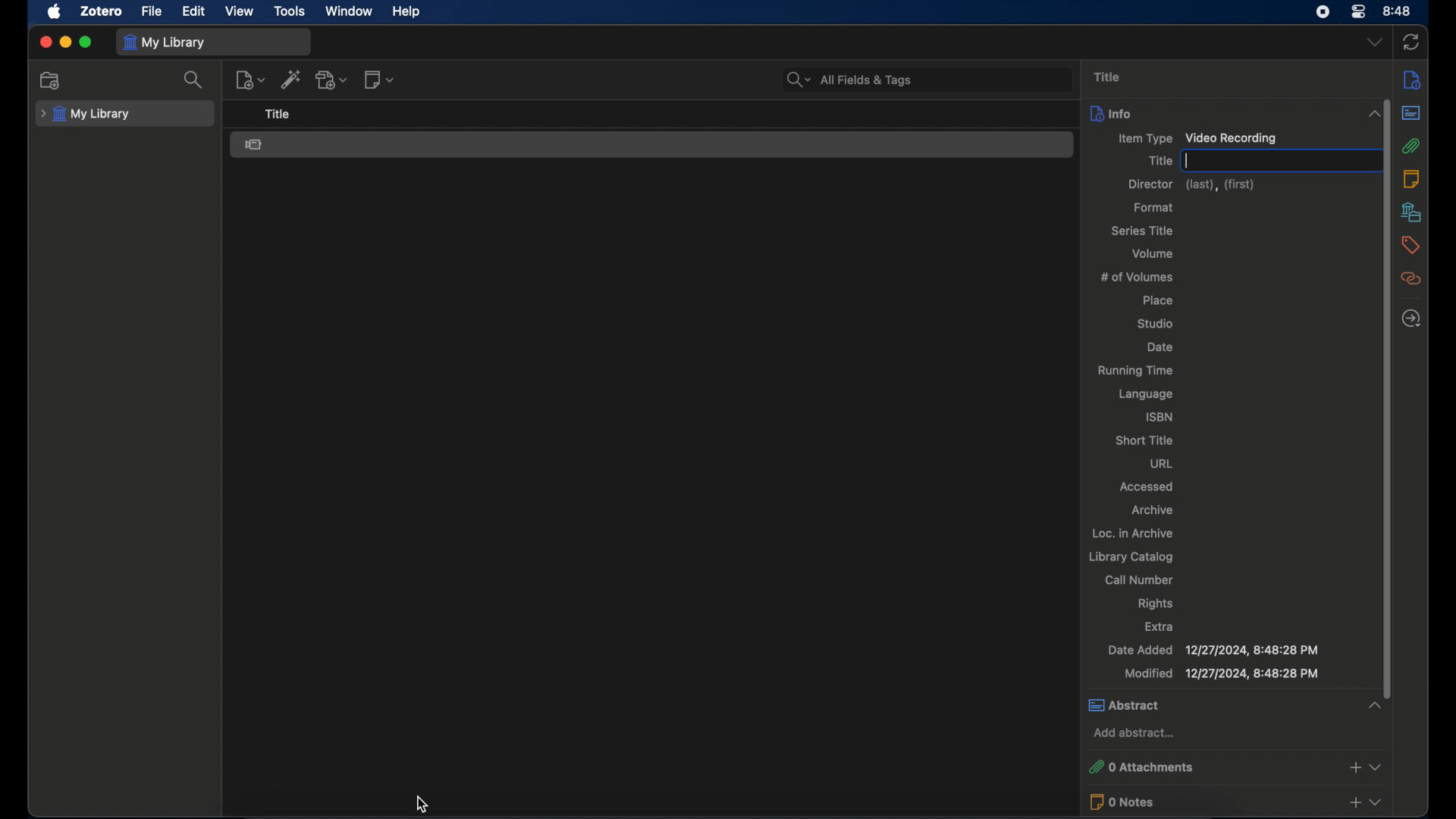 The image size is (1456, 819). What do you see at coordinates (1147, 394) in the screenshot?
I see `language` at bounding box center [1147, 394].